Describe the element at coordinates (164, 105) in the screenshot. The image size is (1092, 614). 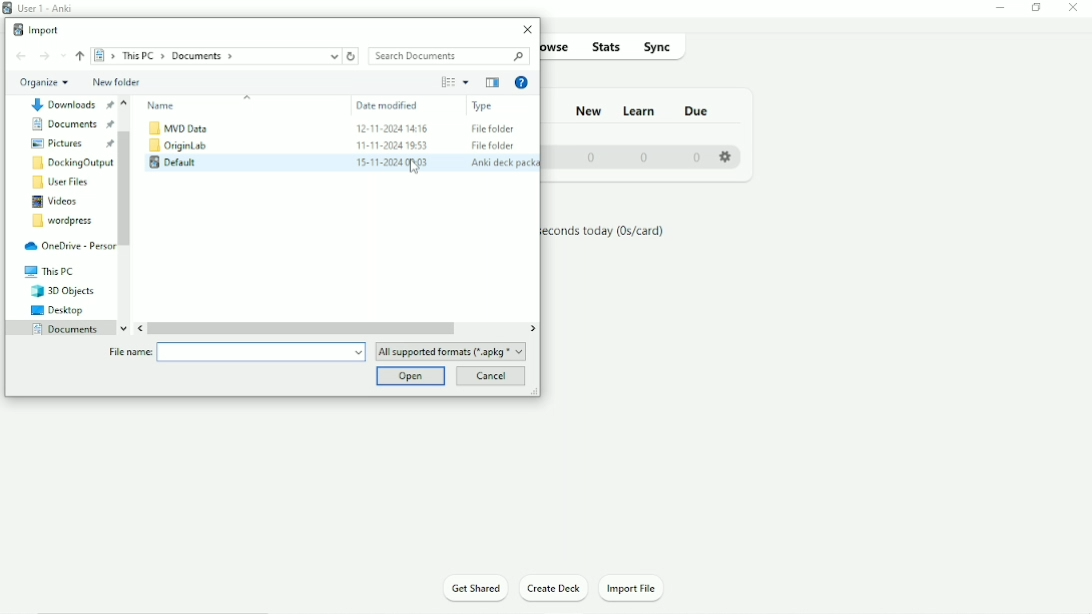
I see `Name` at that location.